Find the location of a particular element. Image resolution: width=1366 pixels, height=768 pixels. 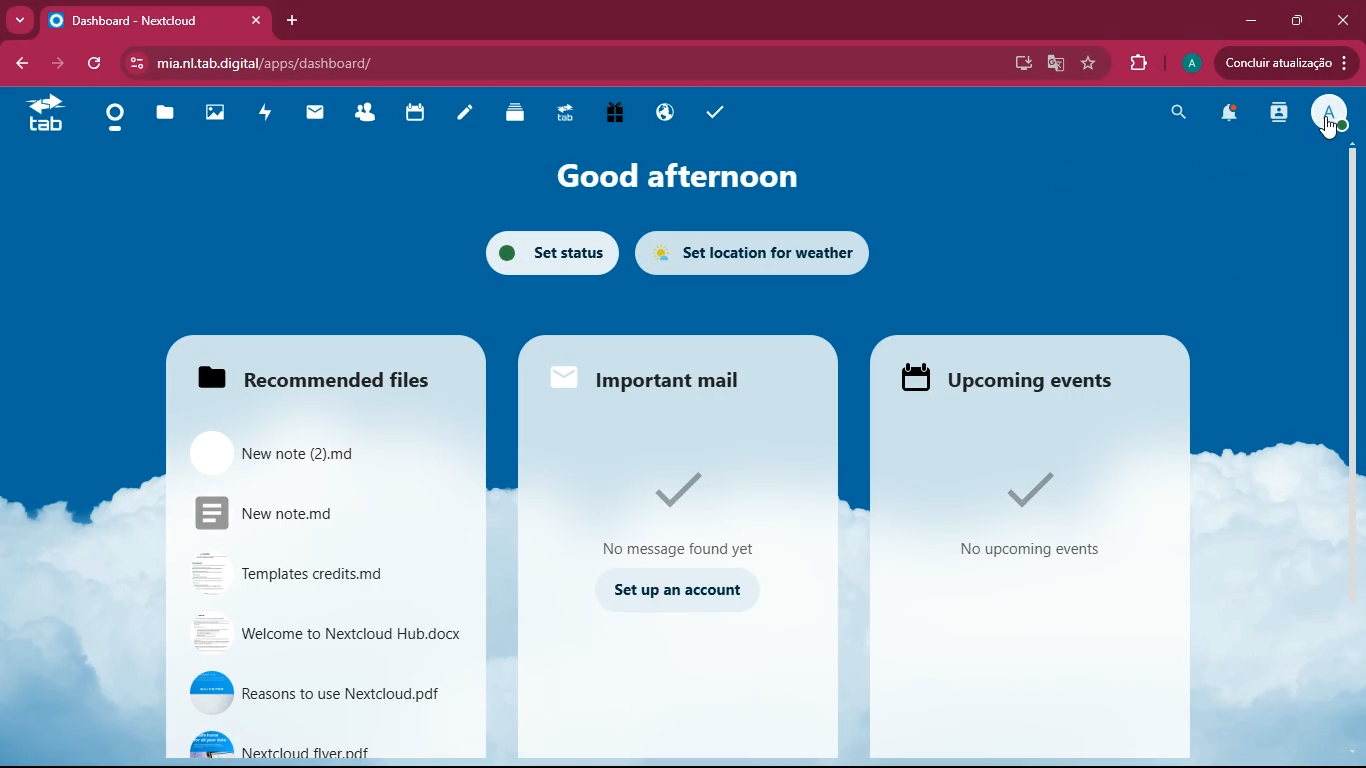

public is located at coordinates (668, 112).